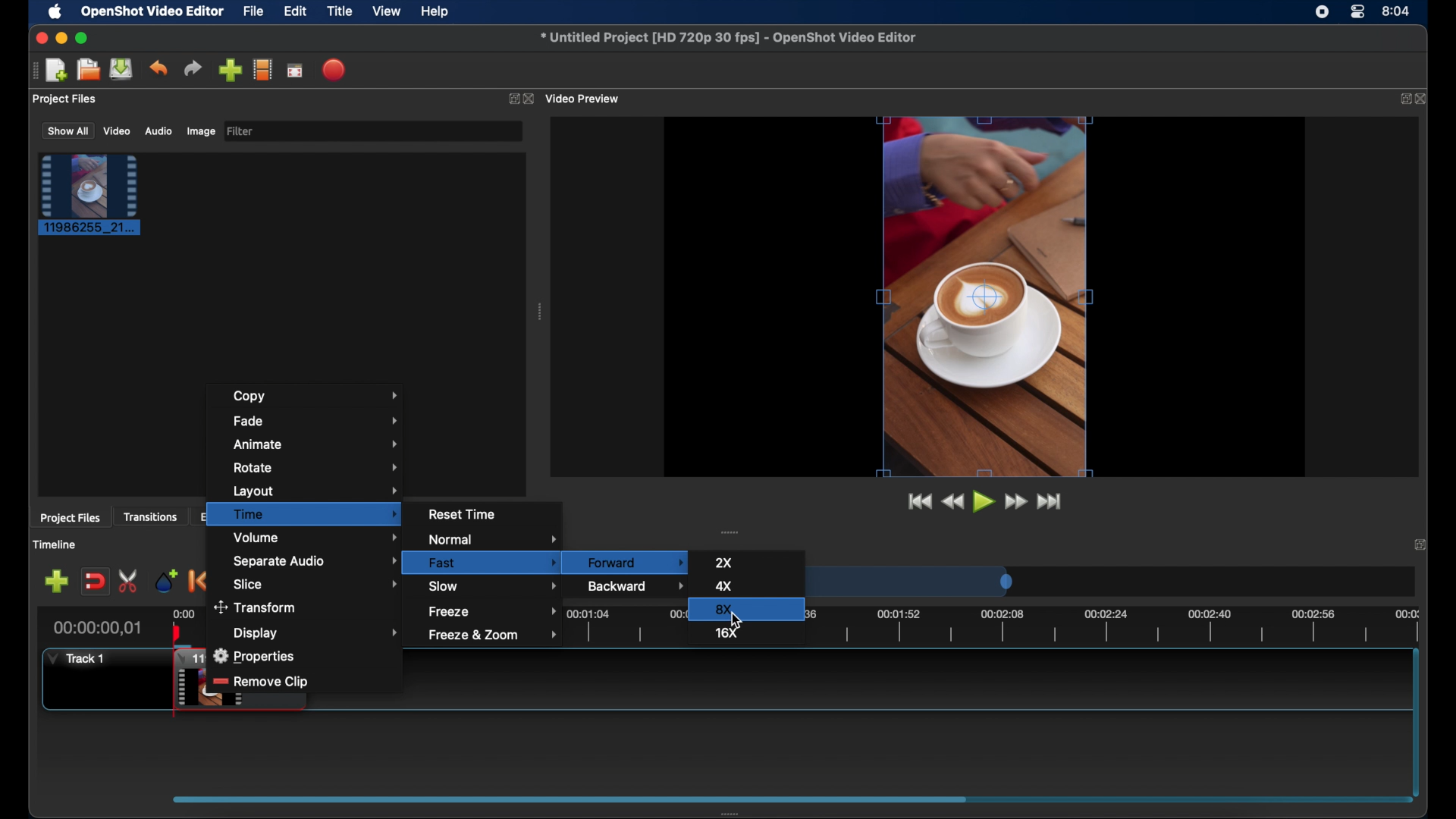 The image size is (1456, 819). What do you see at coordinates (953, 502) in the screenshot?
I see `rewind` at bounding box center [953, 502].